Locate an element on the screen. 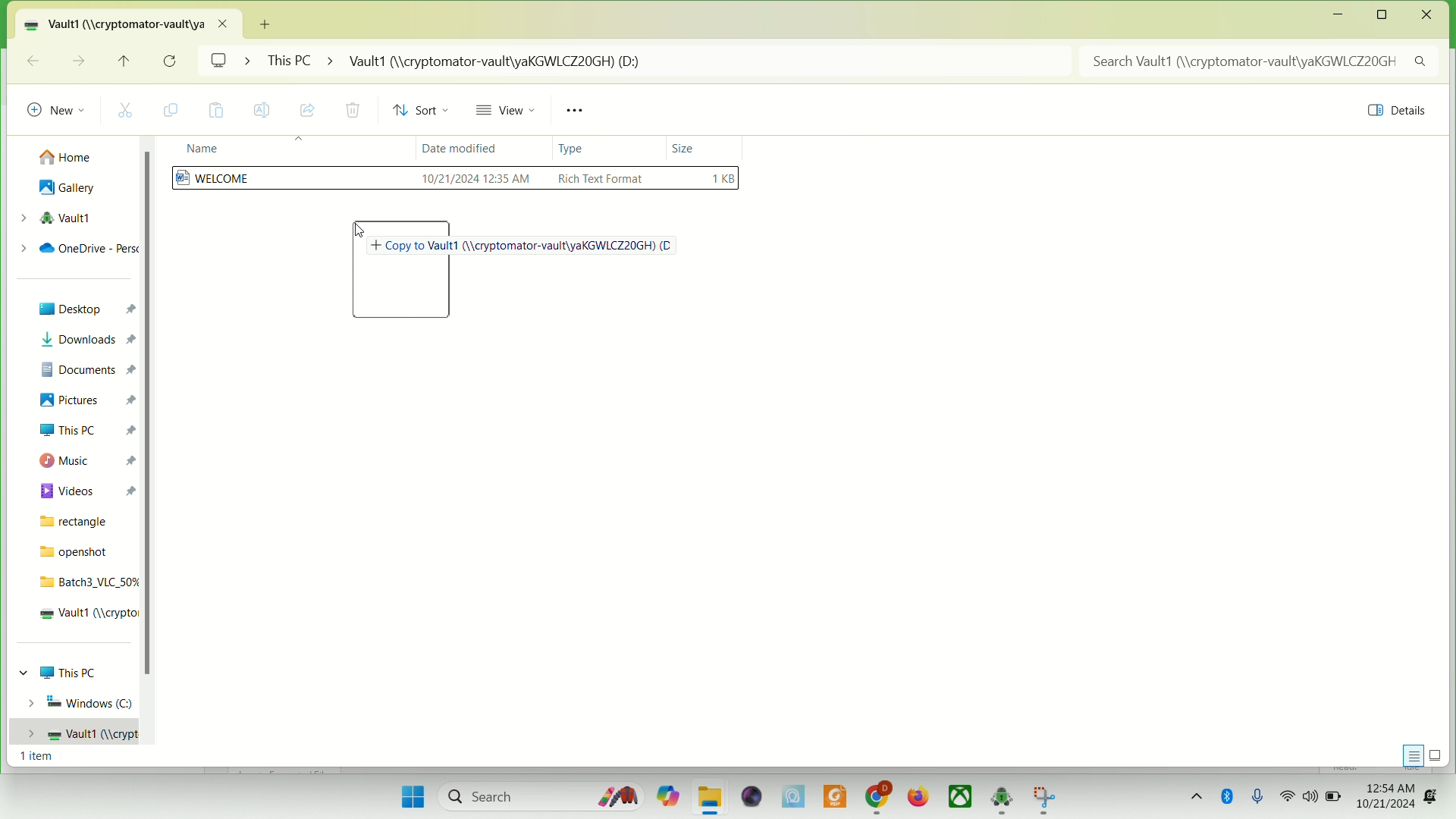 Image resolution: width=1456 pixels, height=819 pixels. search is located at coordinates (544, 795).